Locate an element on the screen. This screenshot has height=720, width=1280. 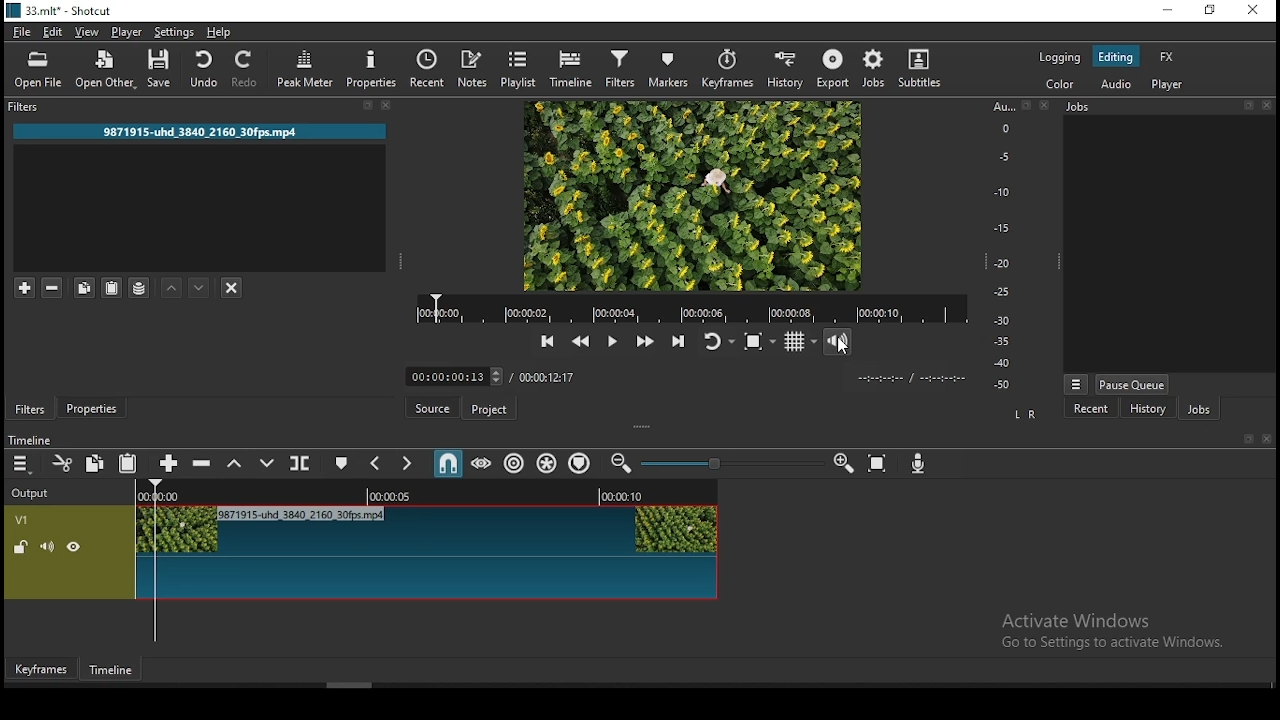
snap is located at coordinates (448, 466).